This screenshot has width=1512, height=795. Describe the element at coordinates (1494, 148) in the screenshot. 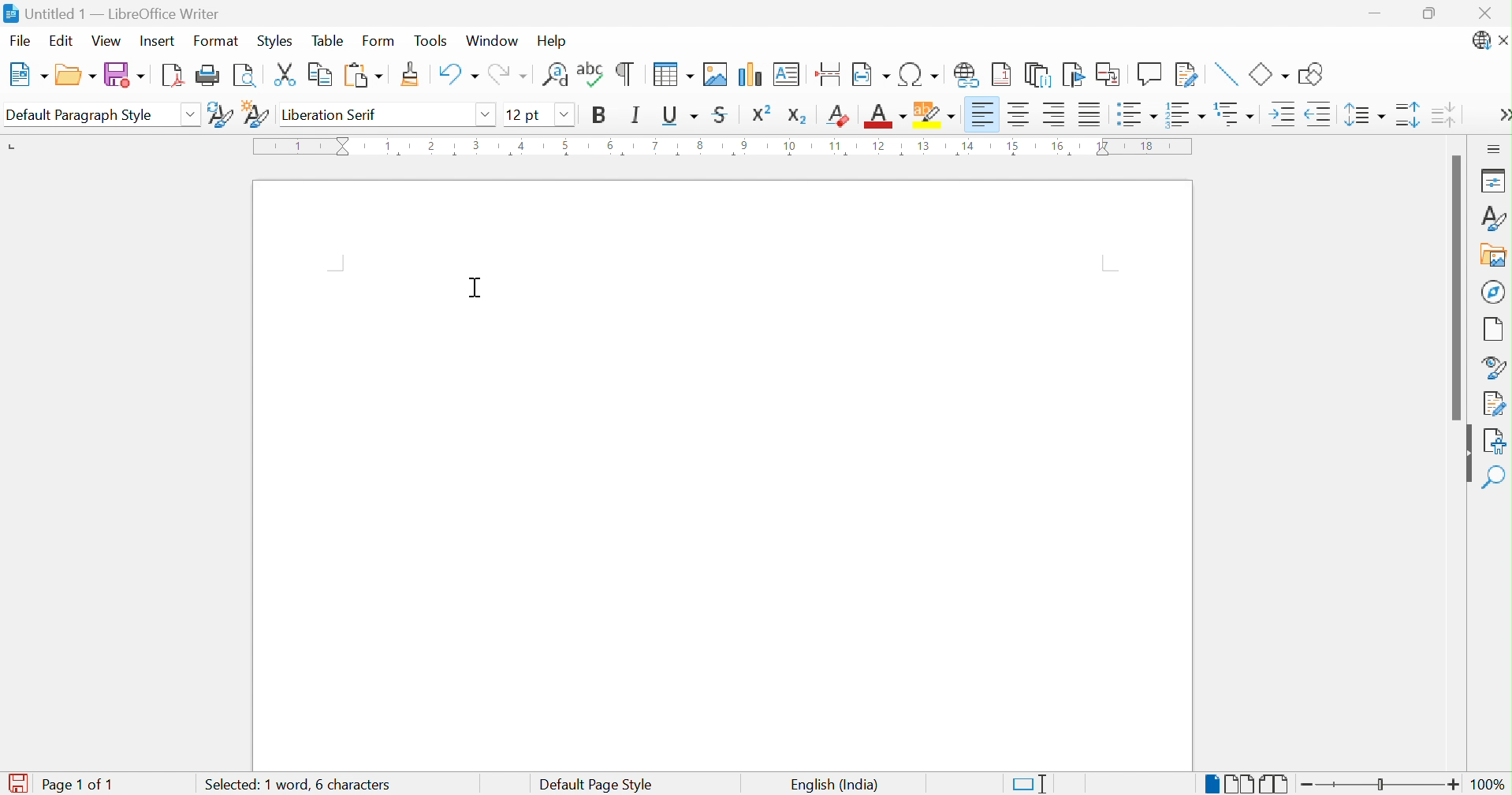

I see `Sidebar Settings` at that location.